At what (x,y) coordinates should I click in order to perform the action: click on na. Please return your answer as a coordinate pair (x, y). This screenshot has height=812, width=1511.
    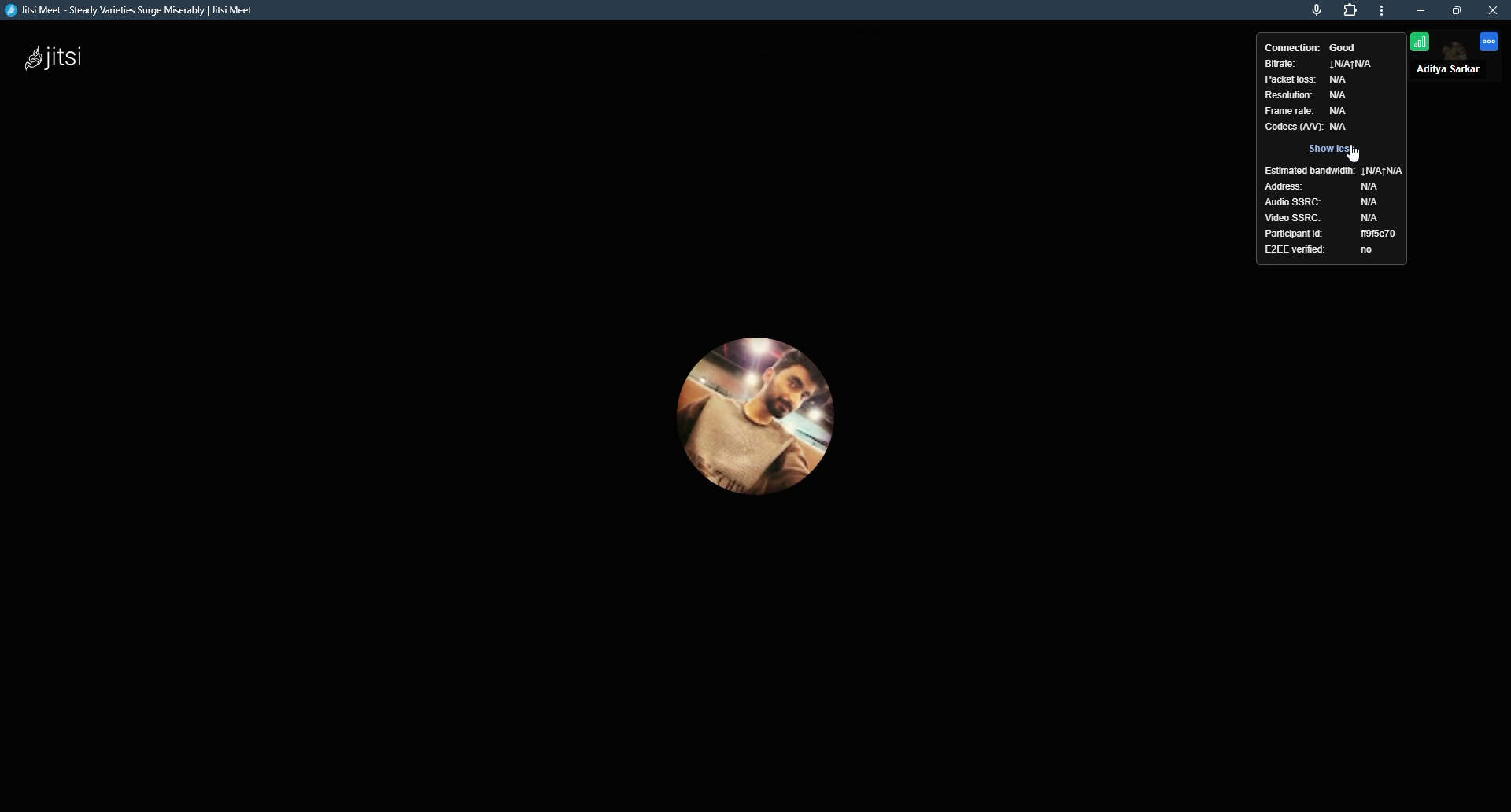
    Looking at the image, I should click on (1372, 201).